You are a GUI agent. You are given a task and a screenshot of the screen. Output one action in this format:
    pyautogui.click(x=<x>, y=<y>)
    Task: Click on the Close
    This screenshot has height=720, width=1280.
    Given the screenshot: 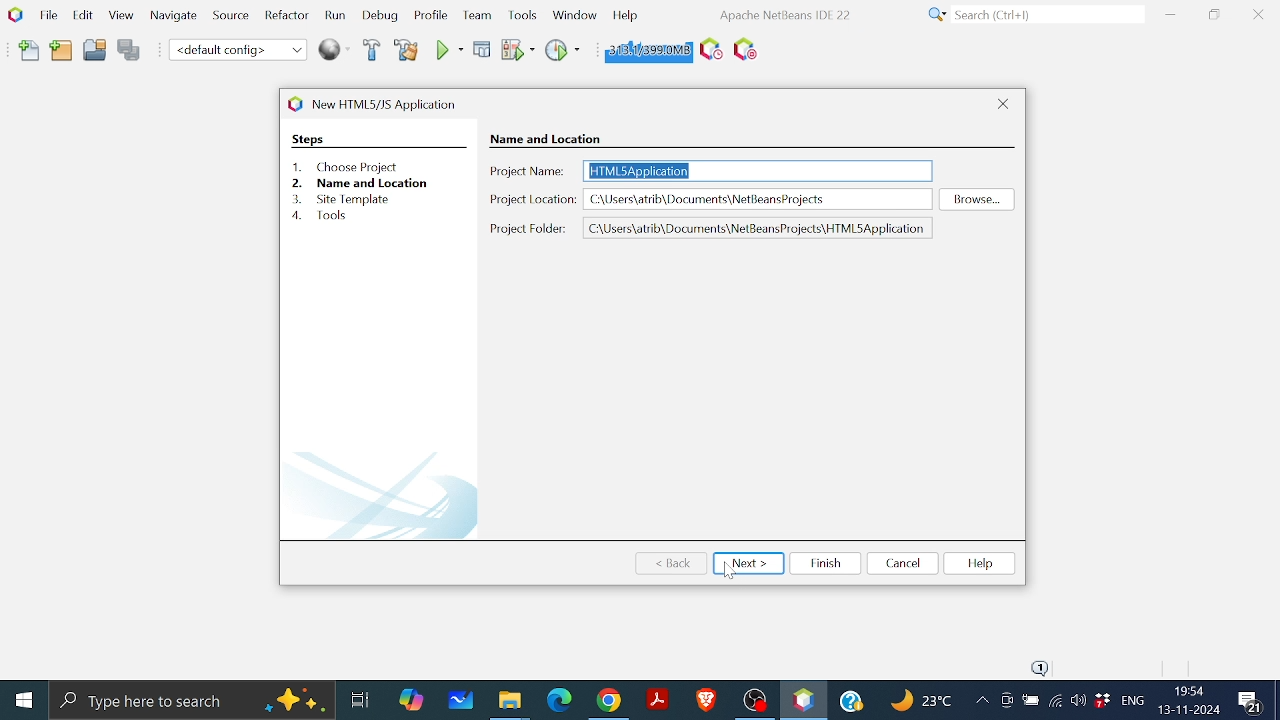 What is the action you would take?
    pyautogui.click(x=1258, y=15)
    